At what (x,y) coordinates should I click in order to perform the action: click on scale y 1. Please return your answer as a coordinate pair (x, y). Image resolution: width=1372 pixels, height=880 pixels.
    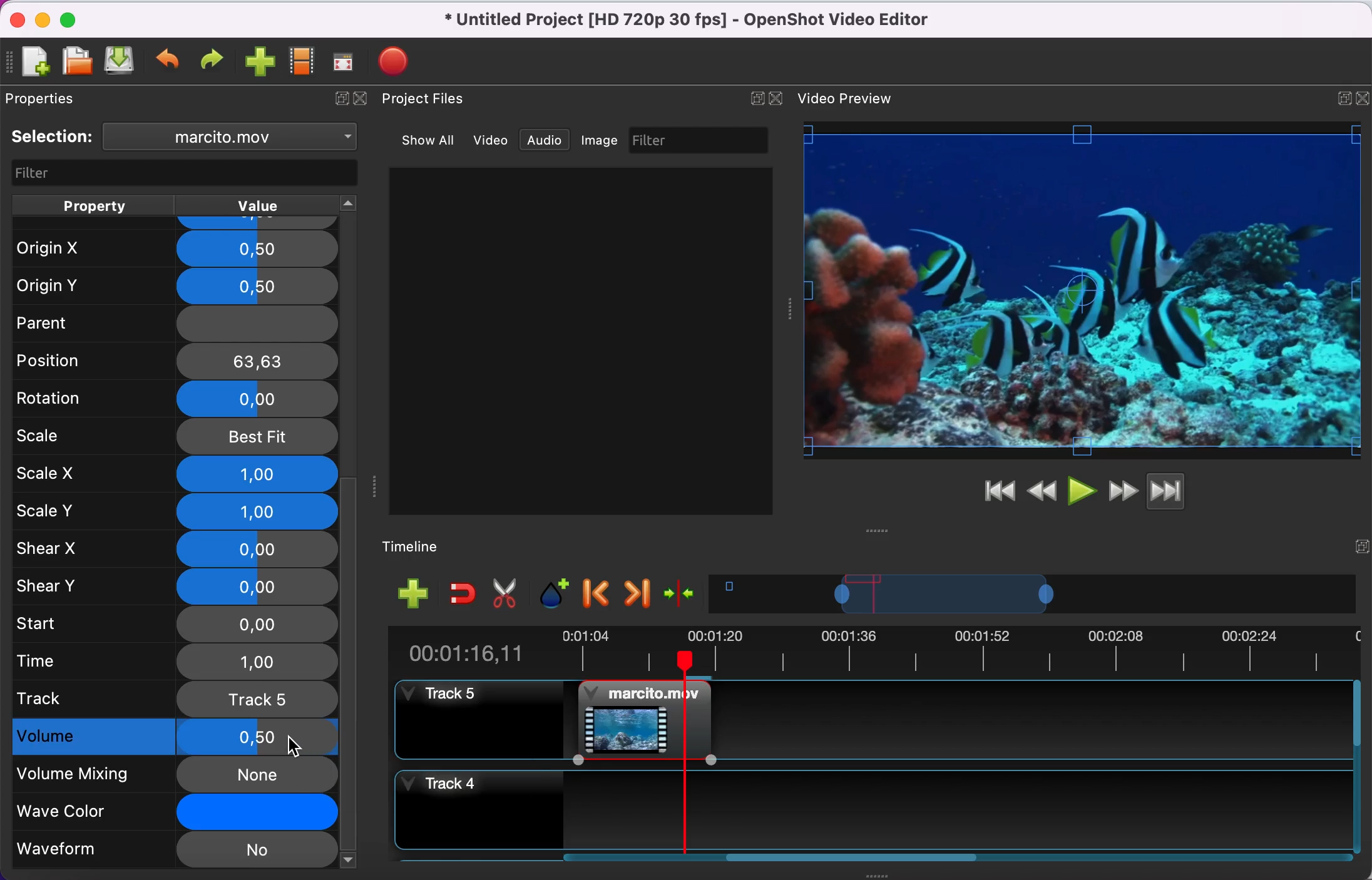
    Looking at the image, I should click on (176, 511).